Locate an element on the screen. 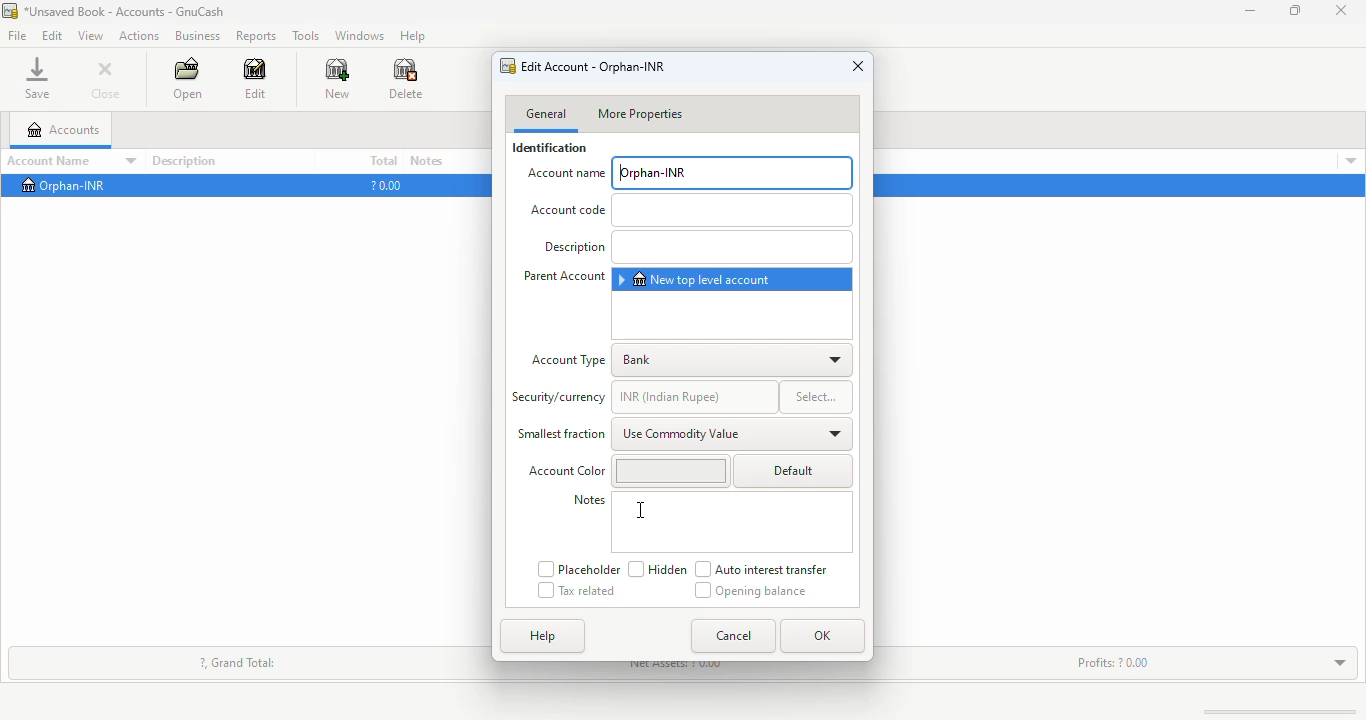  account name is located at coordinates (73, 161).